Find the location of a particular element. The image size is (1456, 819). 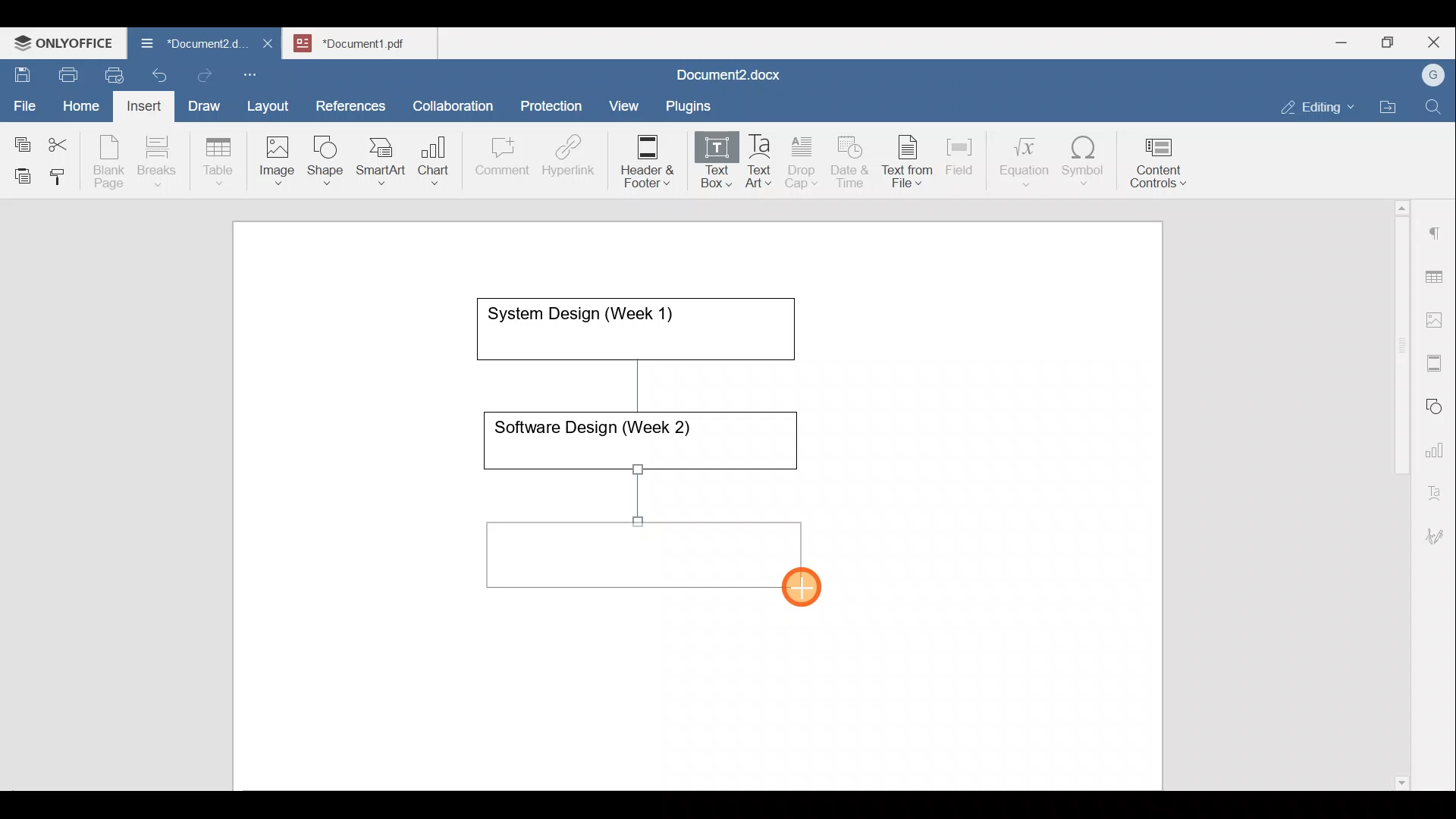

Maximize is located at coordinates (1392, 42).